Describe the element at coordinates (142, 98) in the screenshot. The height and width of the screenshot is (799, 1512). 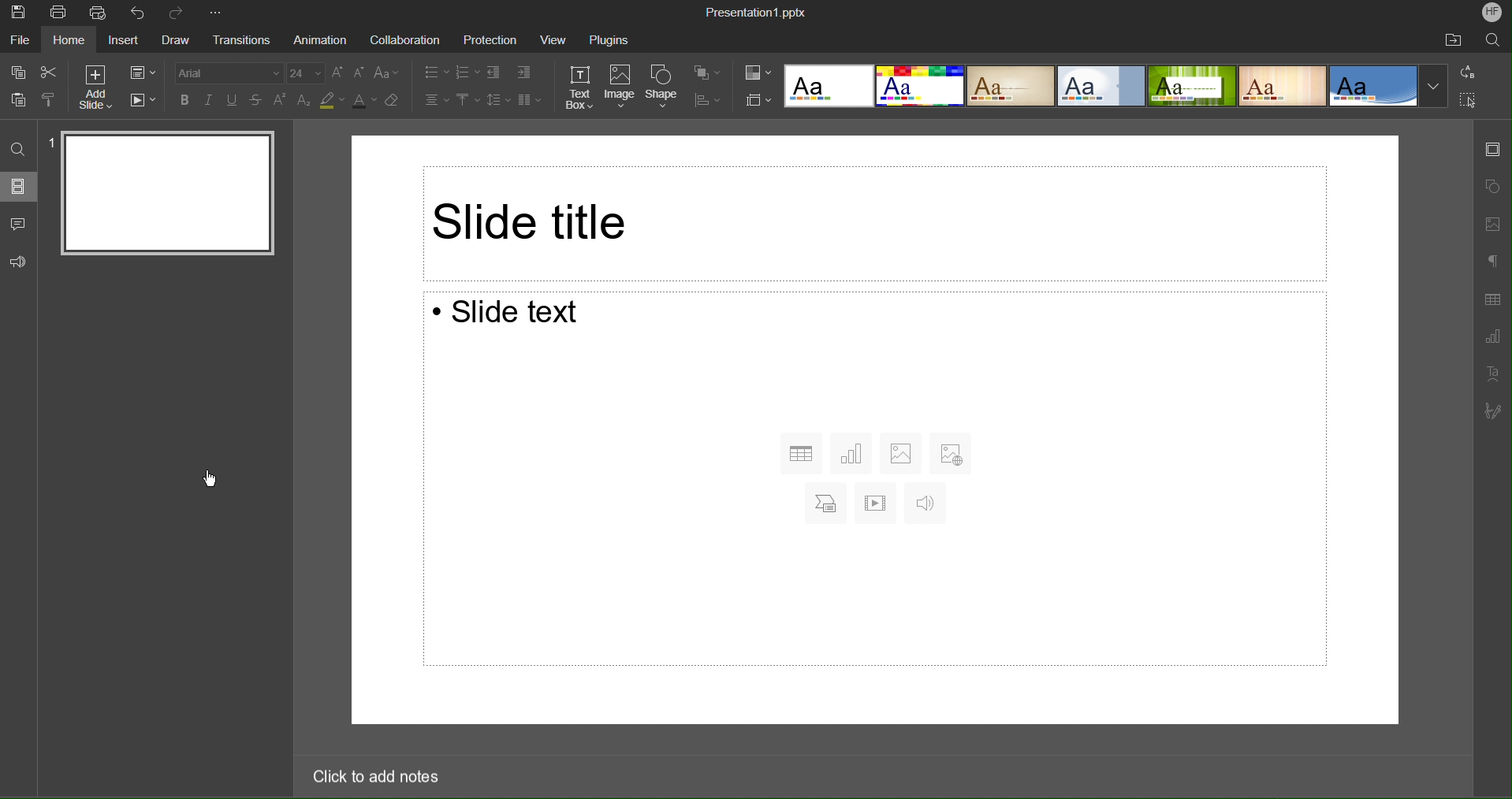
I see `Playback` at that location.